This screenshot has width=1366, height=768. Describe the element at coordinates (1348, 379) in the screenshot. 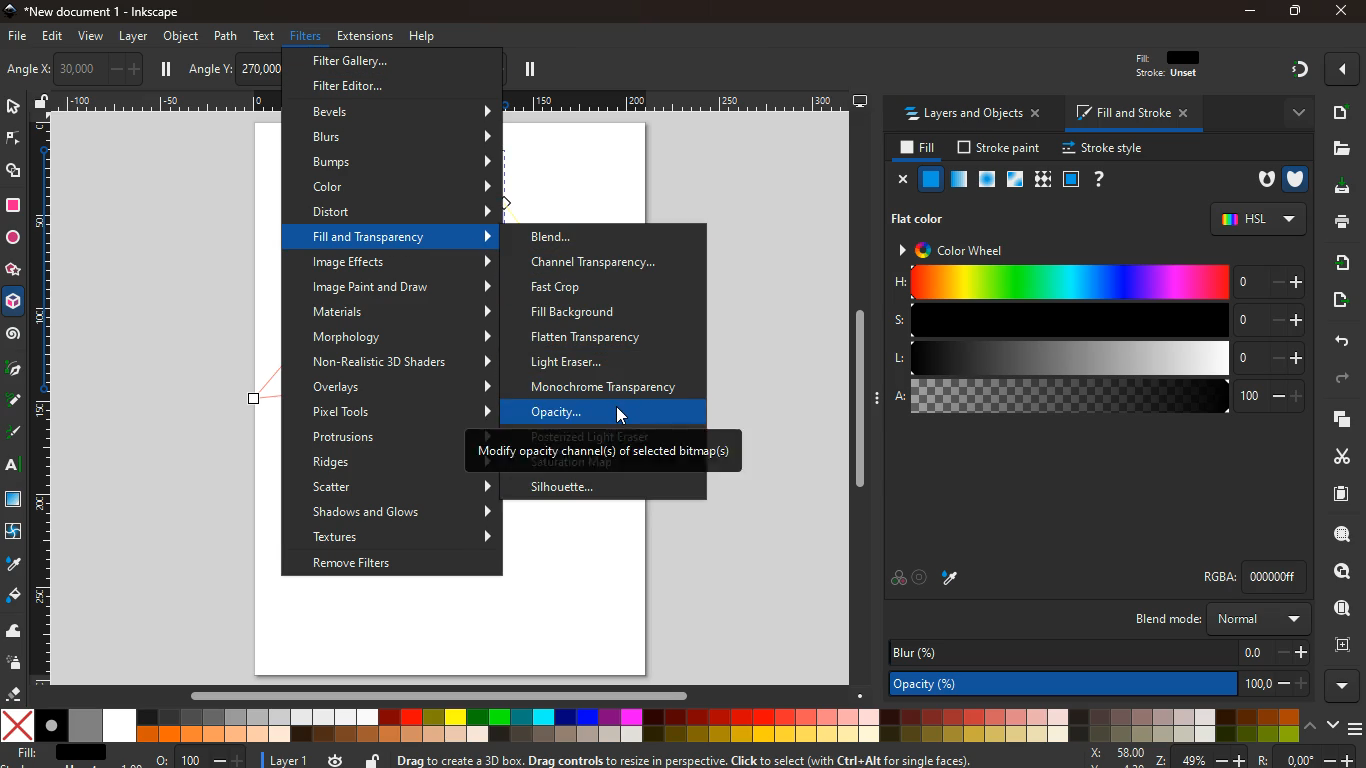

I see `forward` at that location.